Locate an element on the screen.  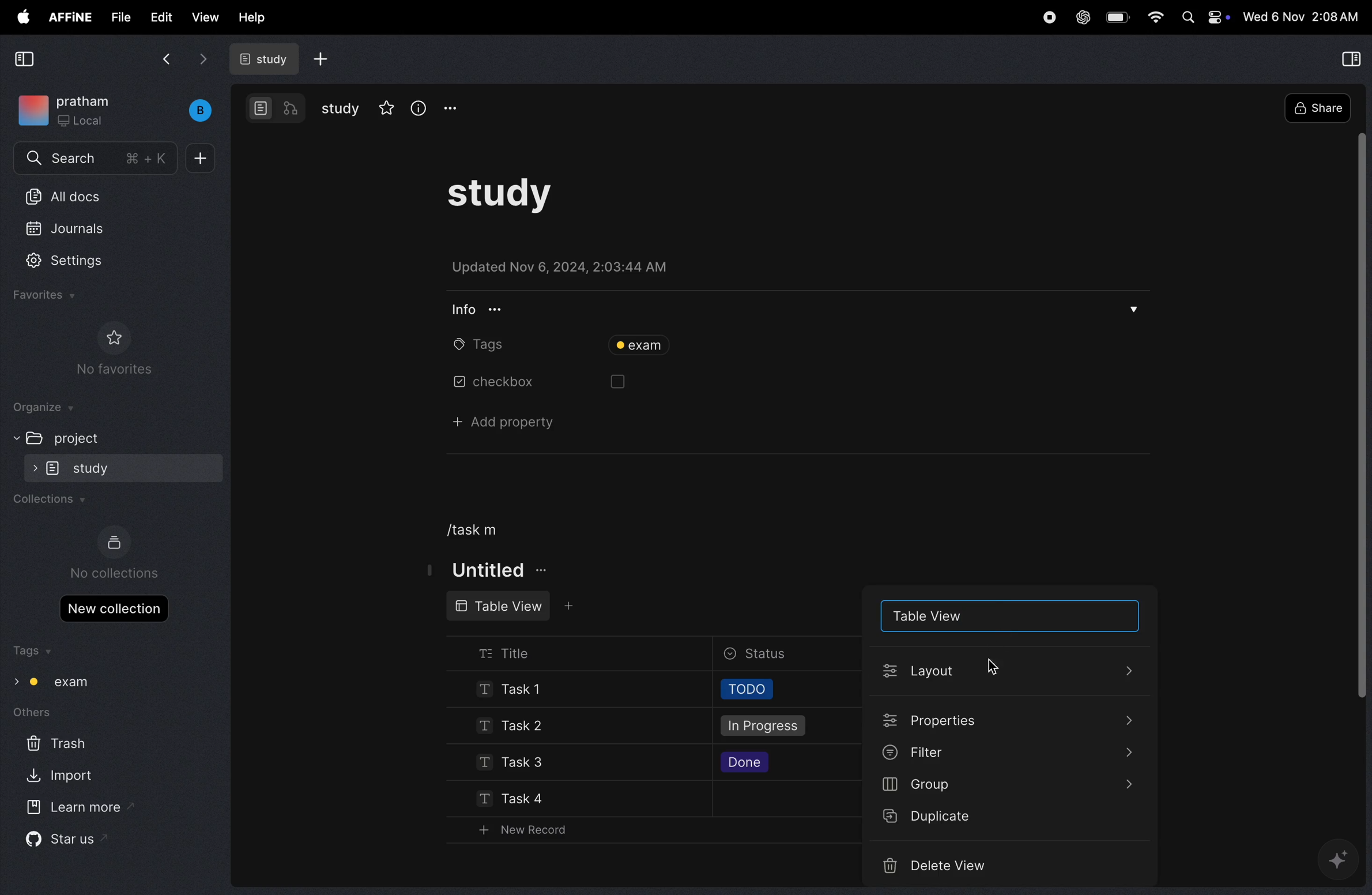
status is located at coordinates (763, 655).